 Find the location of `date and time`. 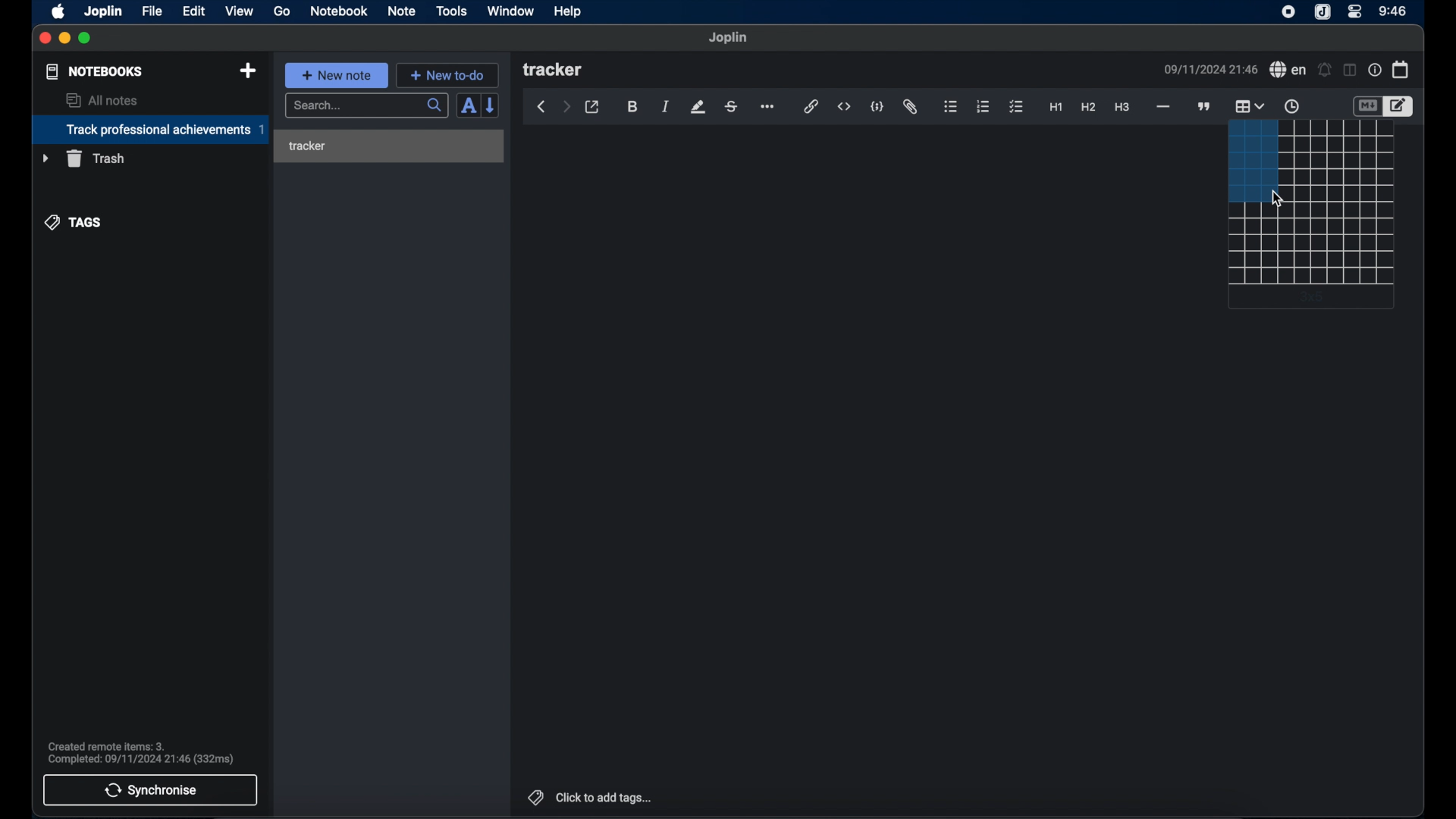

date and time is located at coordinates (1210, 69).